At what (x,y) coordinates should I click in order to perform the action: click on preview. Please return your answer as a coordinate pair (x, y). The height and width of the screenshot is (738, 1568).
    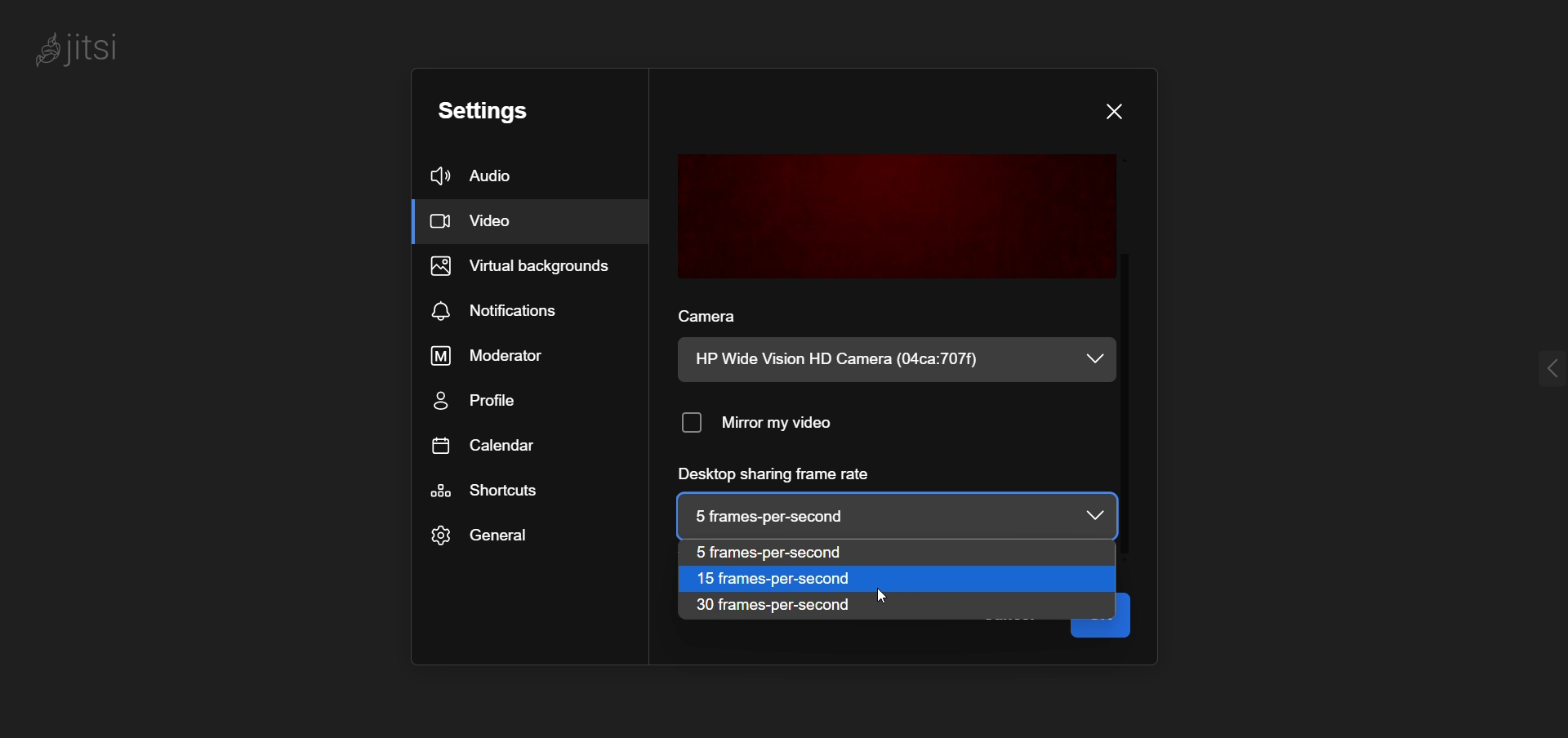
    Looking at the image, I should click on (893, 214).